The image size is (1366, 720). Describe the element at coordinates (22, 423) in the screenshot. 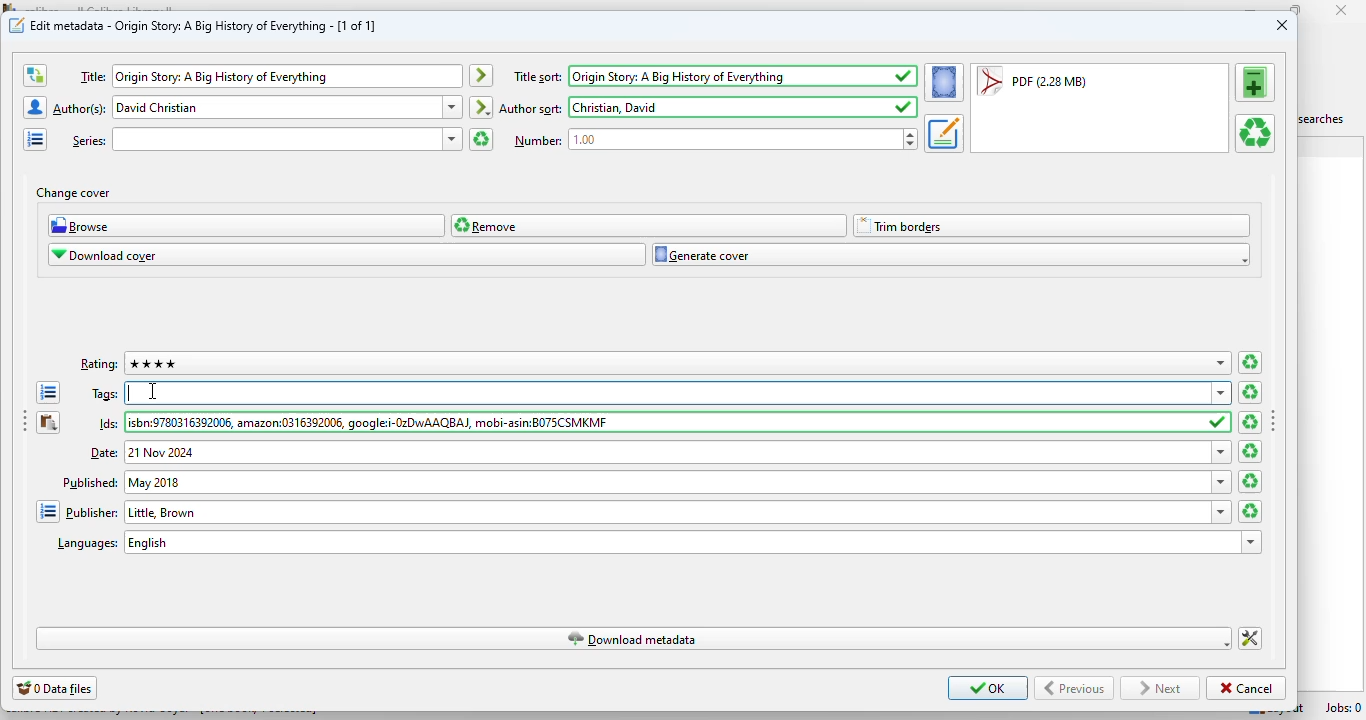

I see `toggle sidebar` at that location.